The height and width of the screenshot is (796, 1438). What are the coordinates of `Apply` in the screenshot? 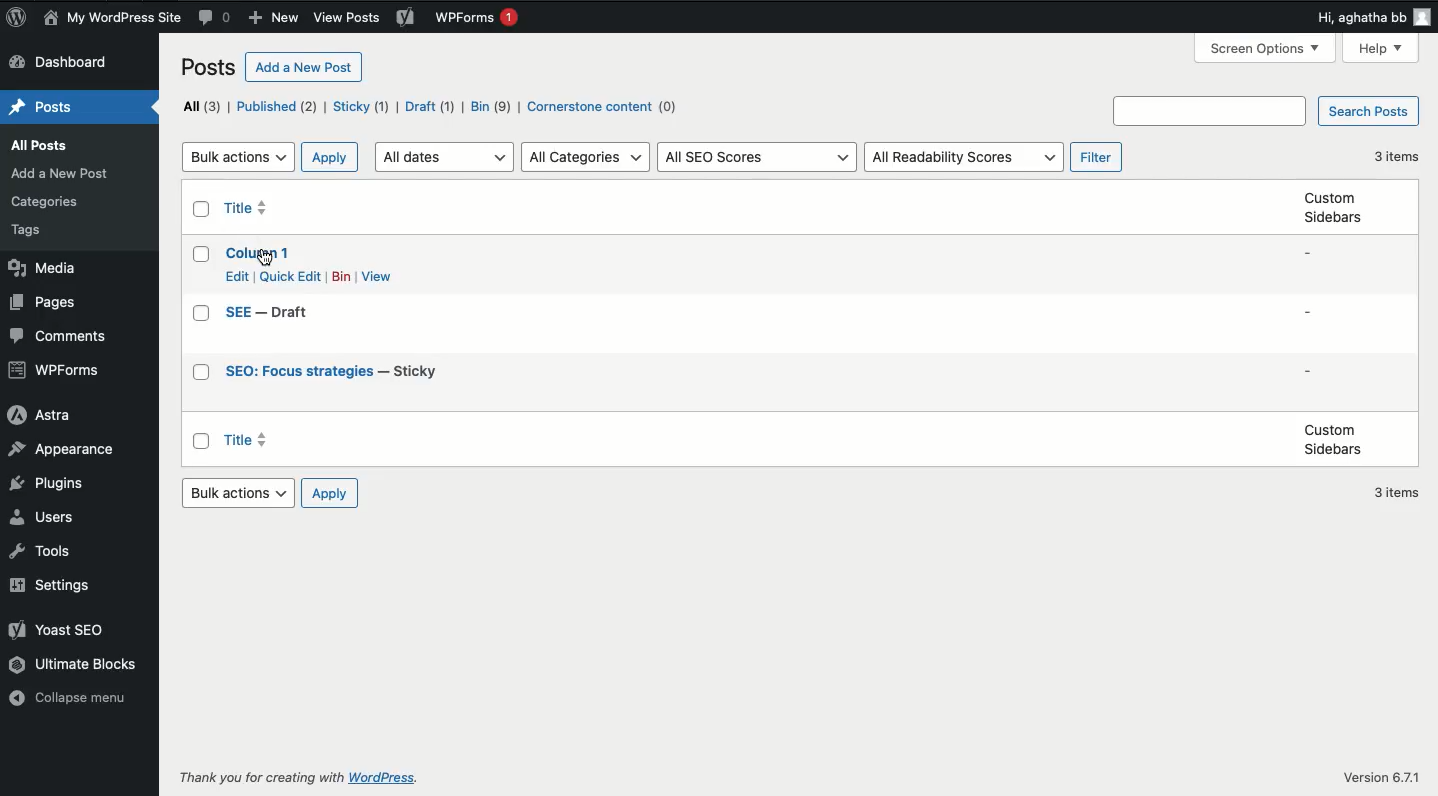 It's located at (333, 157).